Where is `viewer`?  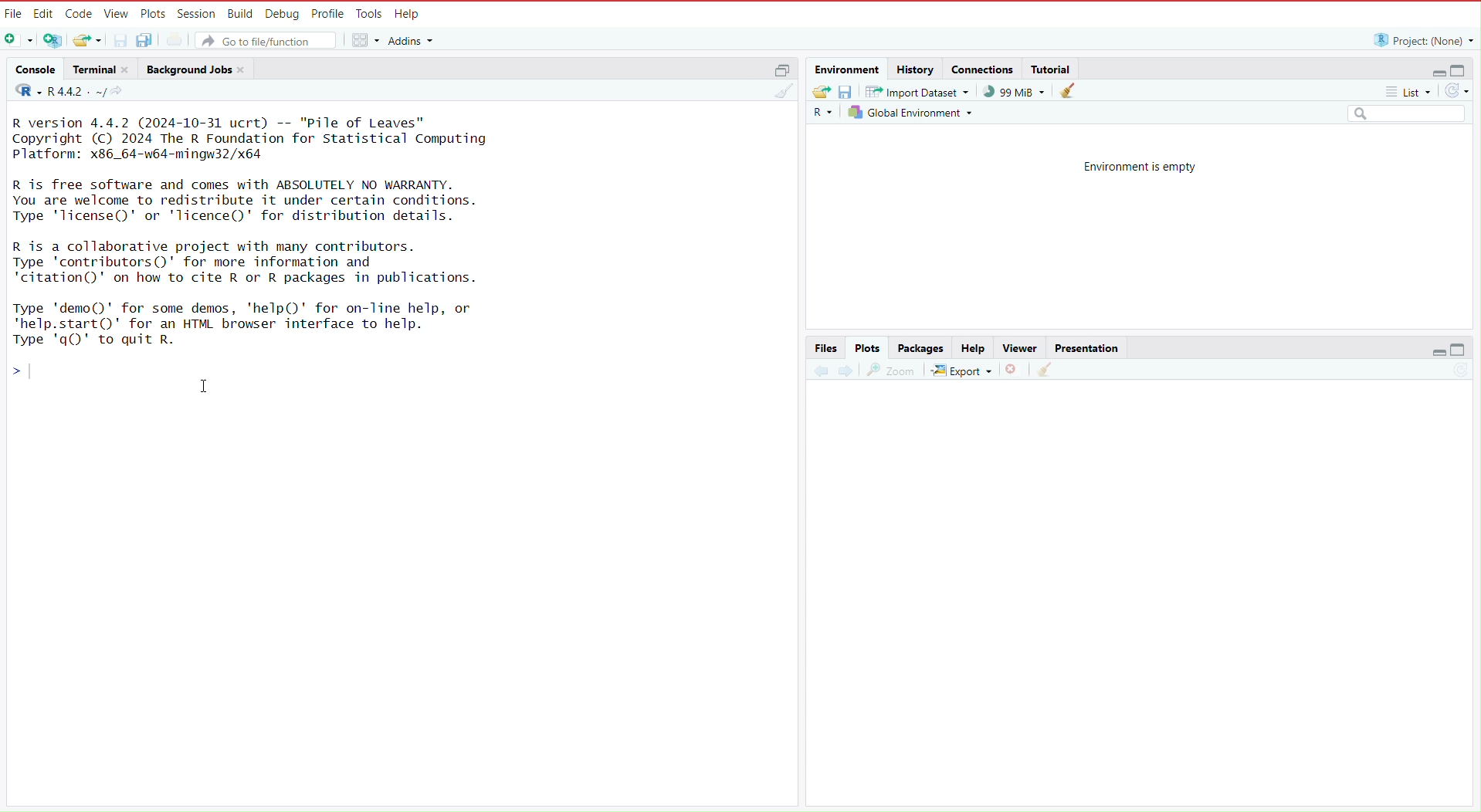
viewer is located at coordinates (1015, 347).